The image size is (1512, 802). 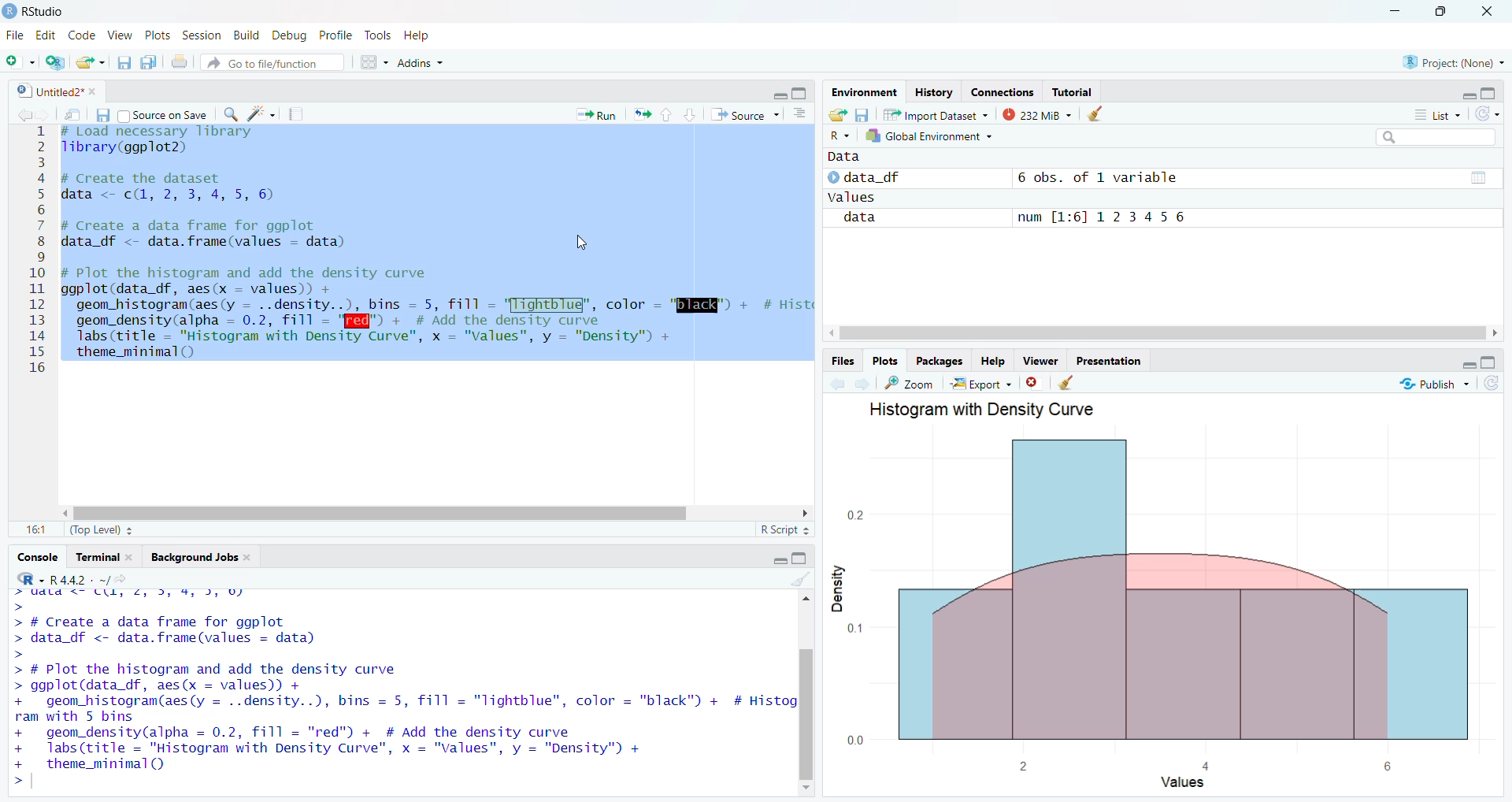 I want to click on density, so click(x=840, y=589).